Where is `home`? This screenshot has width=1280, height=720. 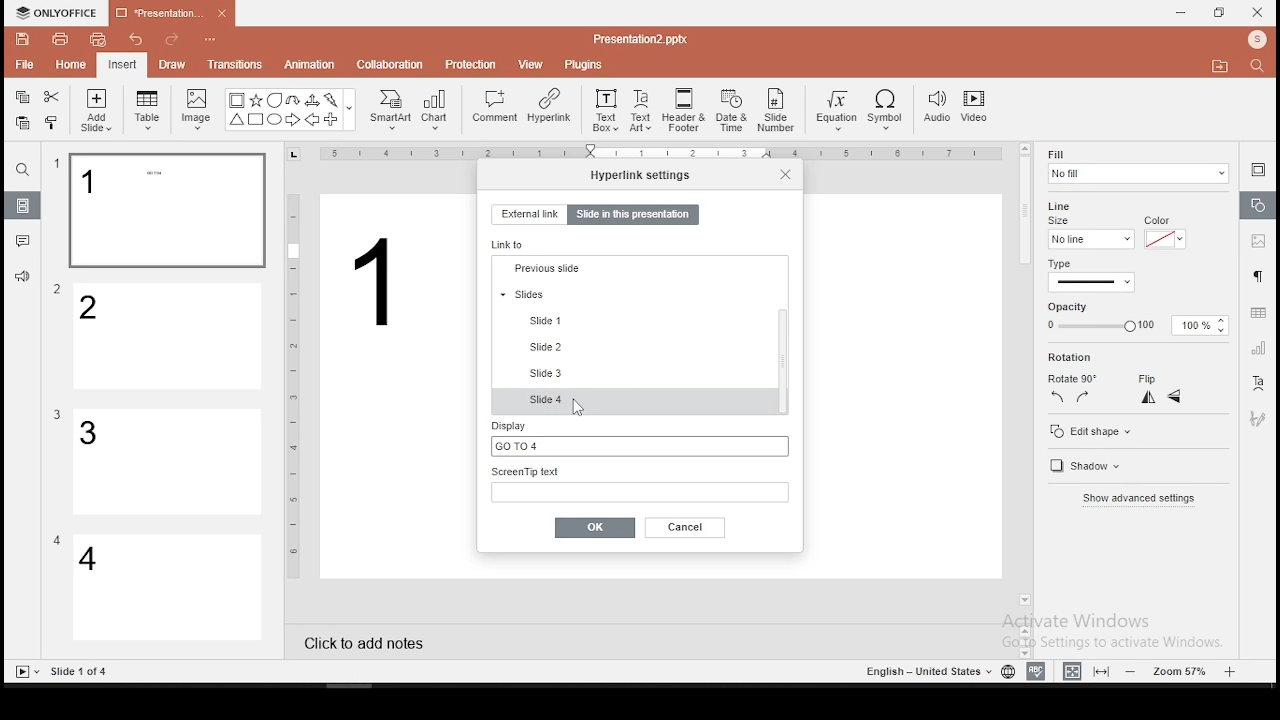 home is located at coordinates (69, 64).